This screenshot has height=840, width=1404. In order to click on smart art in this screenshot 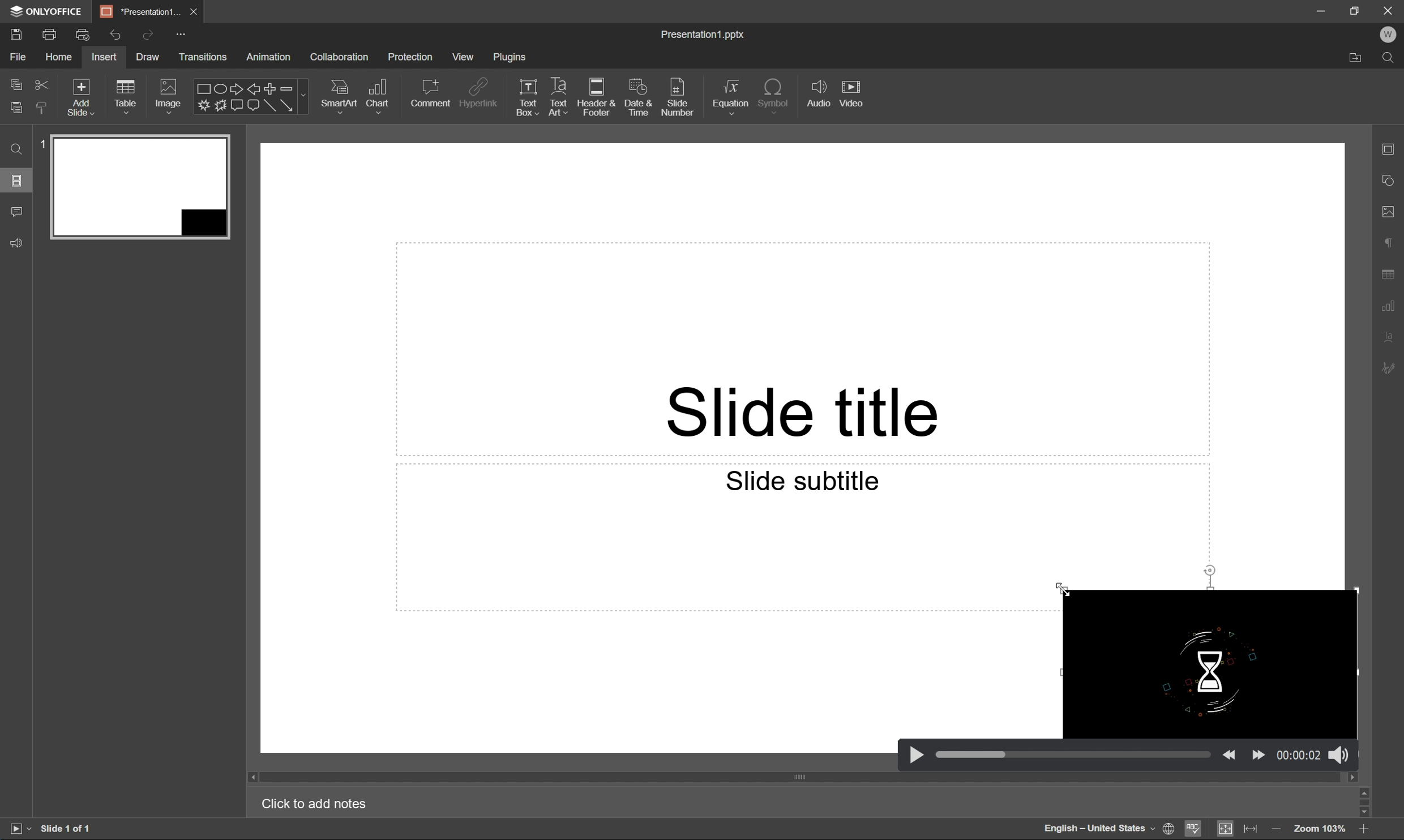, I will do `click(341, 98)`.